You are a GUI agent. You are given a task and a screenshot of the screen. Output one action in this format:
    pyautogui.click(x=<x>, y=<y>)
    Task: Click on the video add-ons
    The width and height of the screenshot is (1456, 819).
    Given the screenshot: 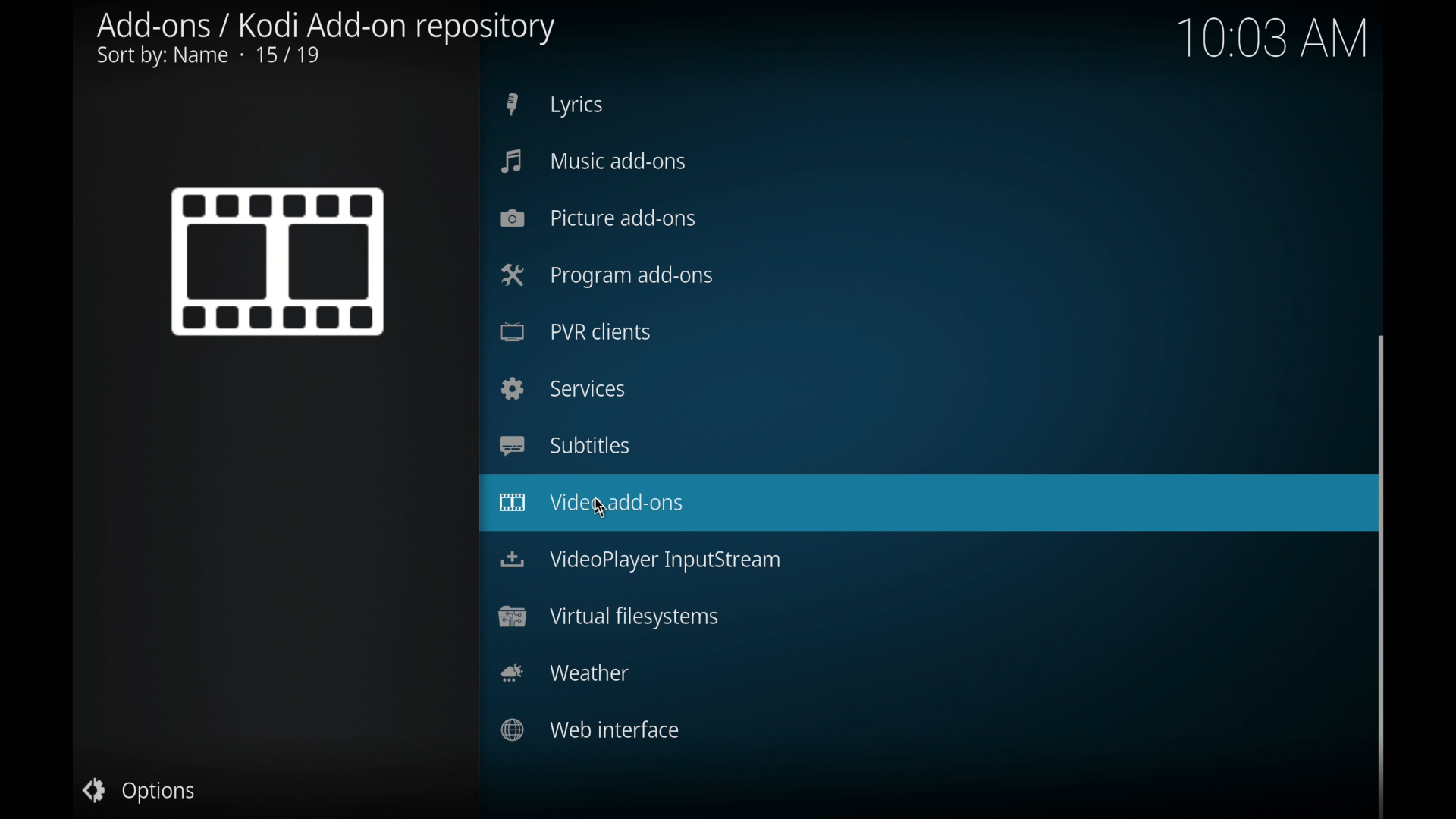 What is the action you would take?
    pyautogui.click(x=922, y=506)
    